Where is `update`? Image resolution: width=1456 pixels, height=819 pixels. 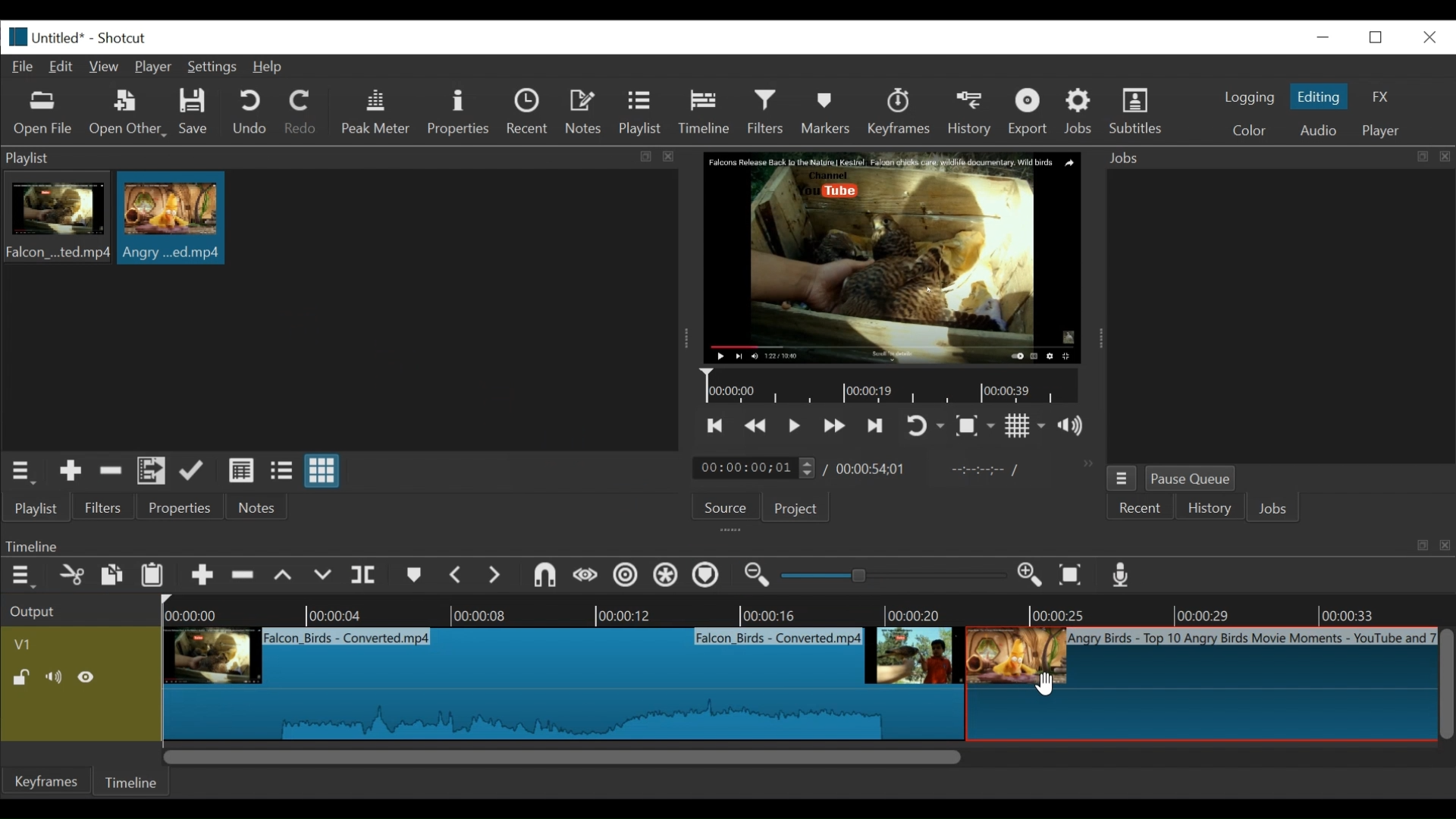 update is located at coordinates (195, 474).